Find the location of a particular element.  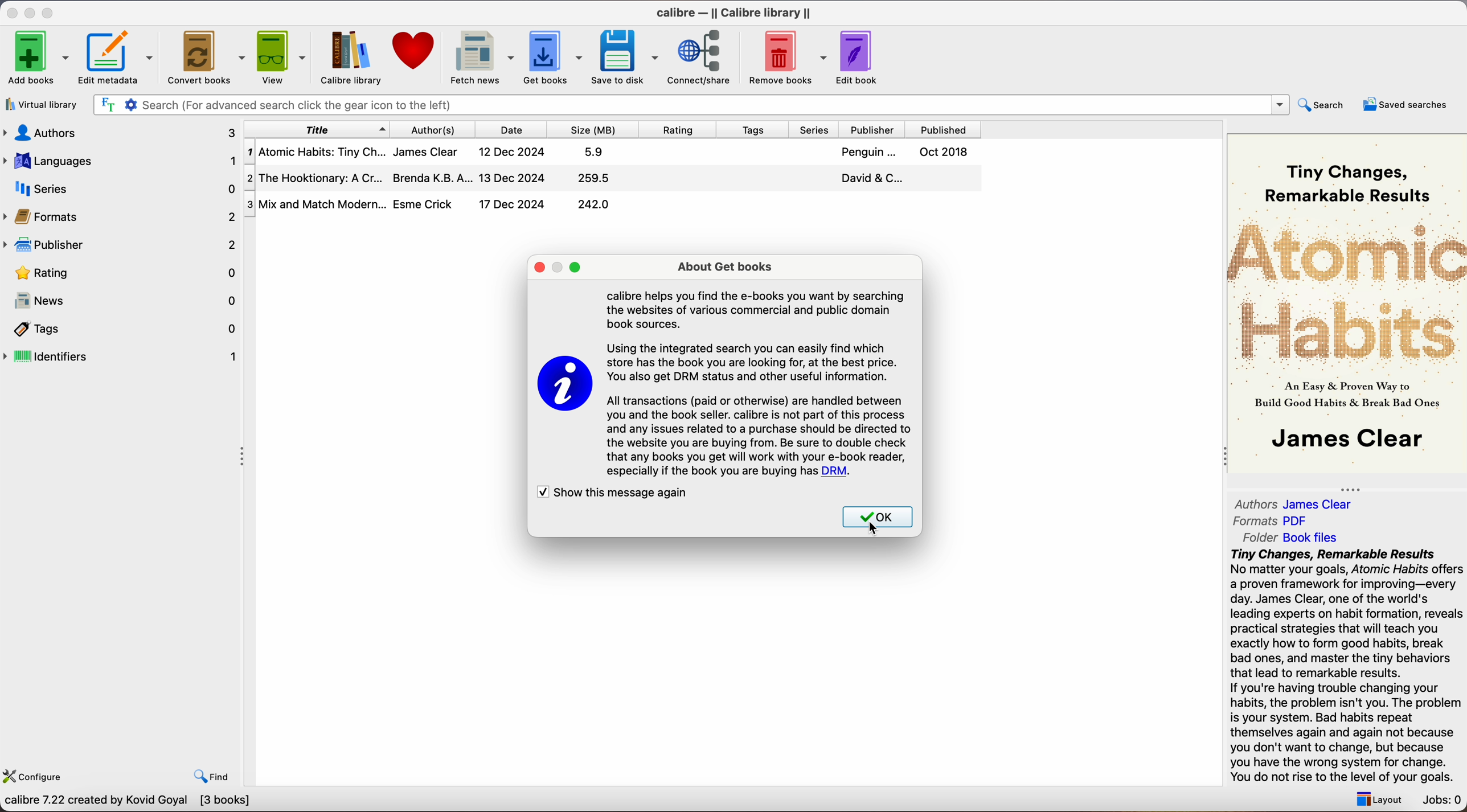

convert books is located at coordinates (208, 59).